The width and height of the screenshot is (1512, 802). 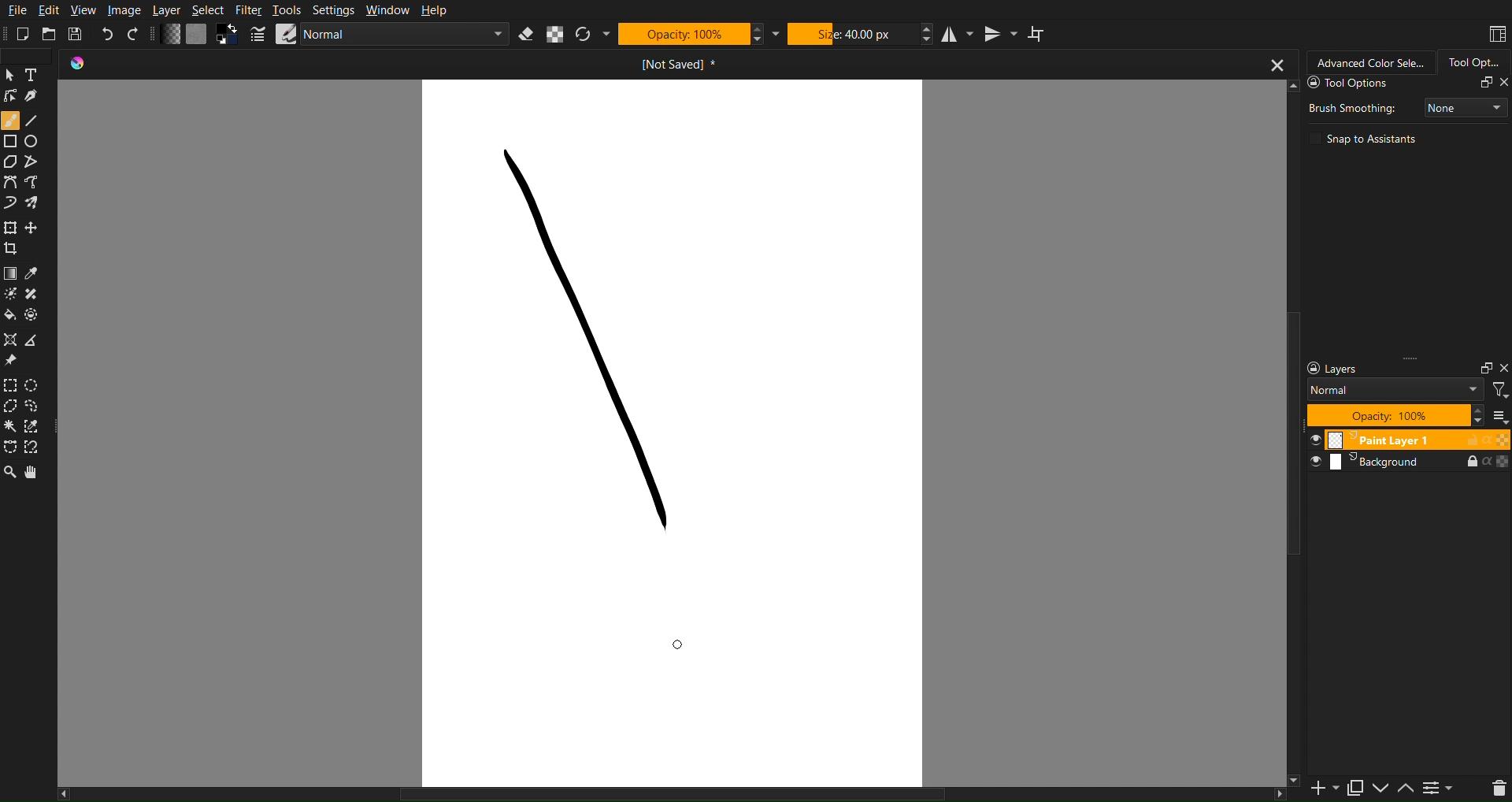 What do you see at coordinates (1406, 439) in the screenshot?
I see `Layer 1` at bounding box center [1406, 439].